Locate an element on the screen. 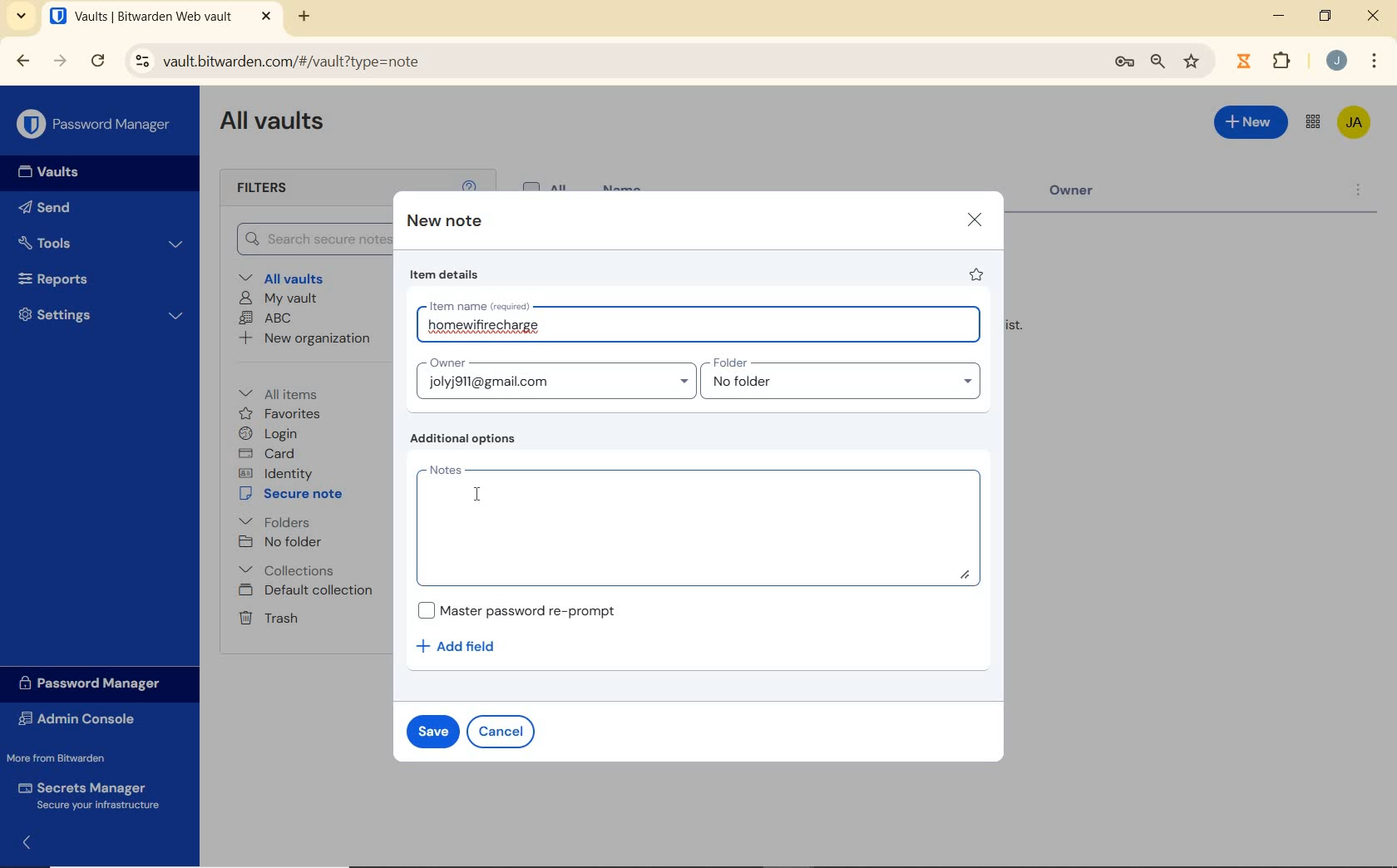 The width and height of the screenshot is (1397, 868). Search Vault is located at coordinates (306, 240).